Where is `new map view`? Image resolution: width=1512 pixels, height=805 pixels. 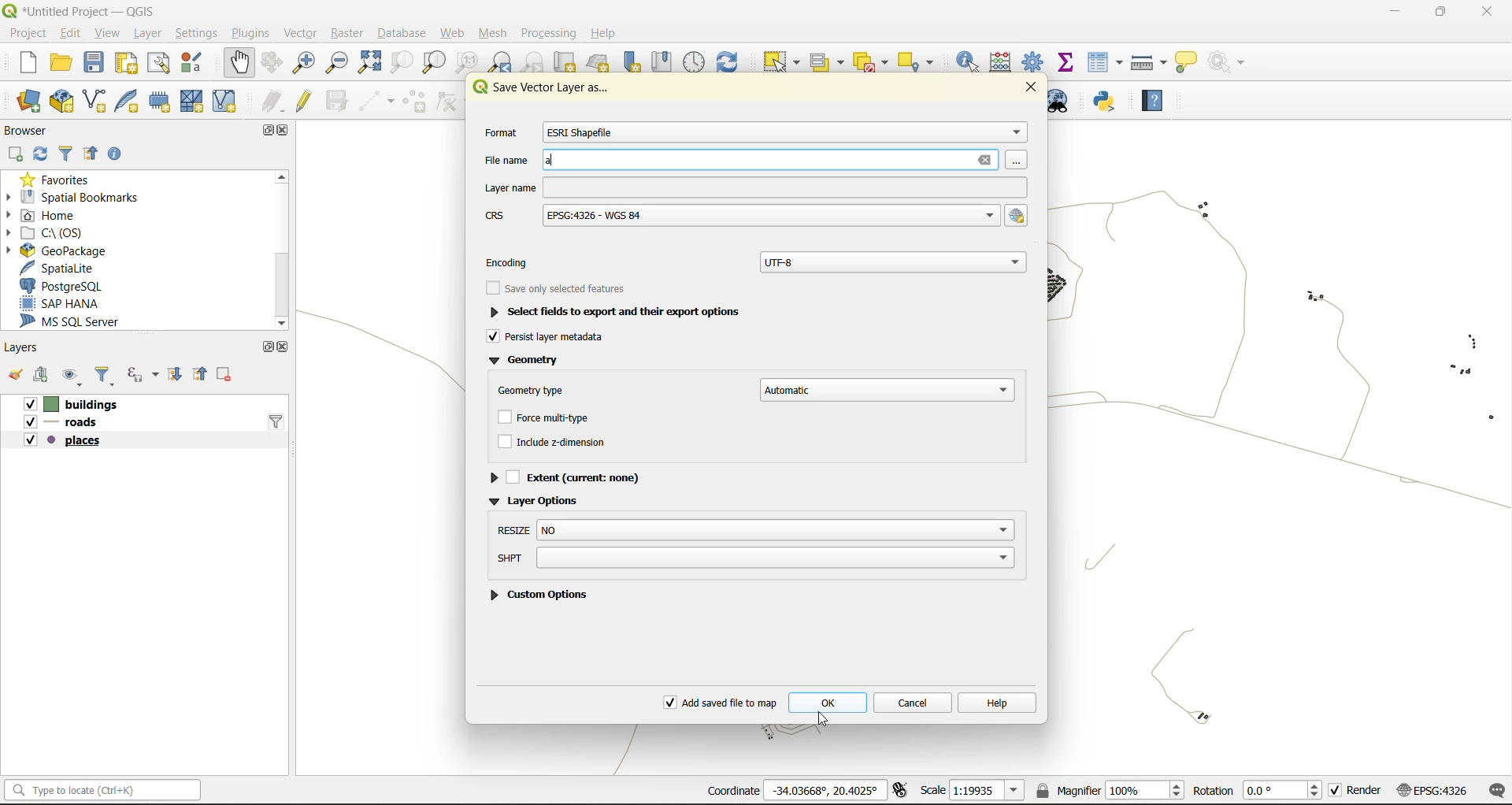 new map view is located at coordinates (566, 63).